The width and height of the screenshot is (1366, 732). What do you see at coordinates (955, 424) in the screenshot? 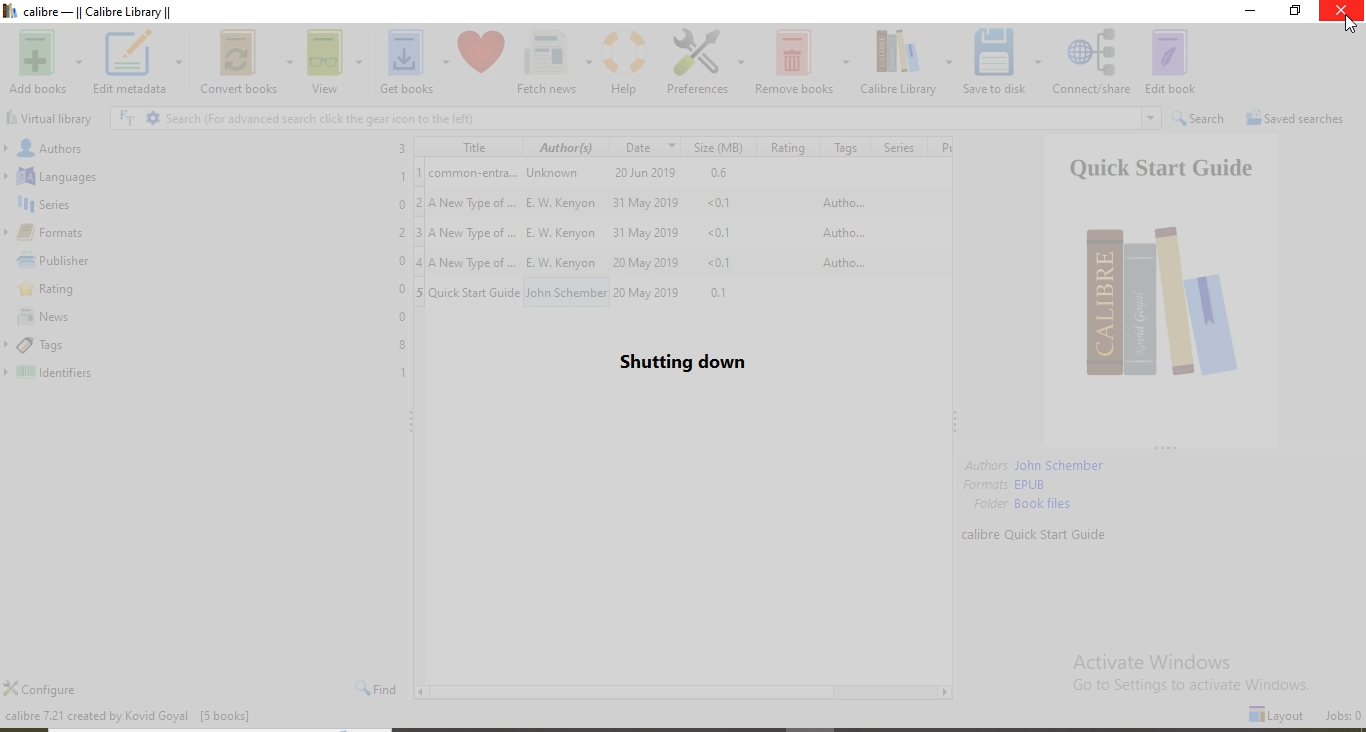
I see `Hide` at bounding box center [955, 424].